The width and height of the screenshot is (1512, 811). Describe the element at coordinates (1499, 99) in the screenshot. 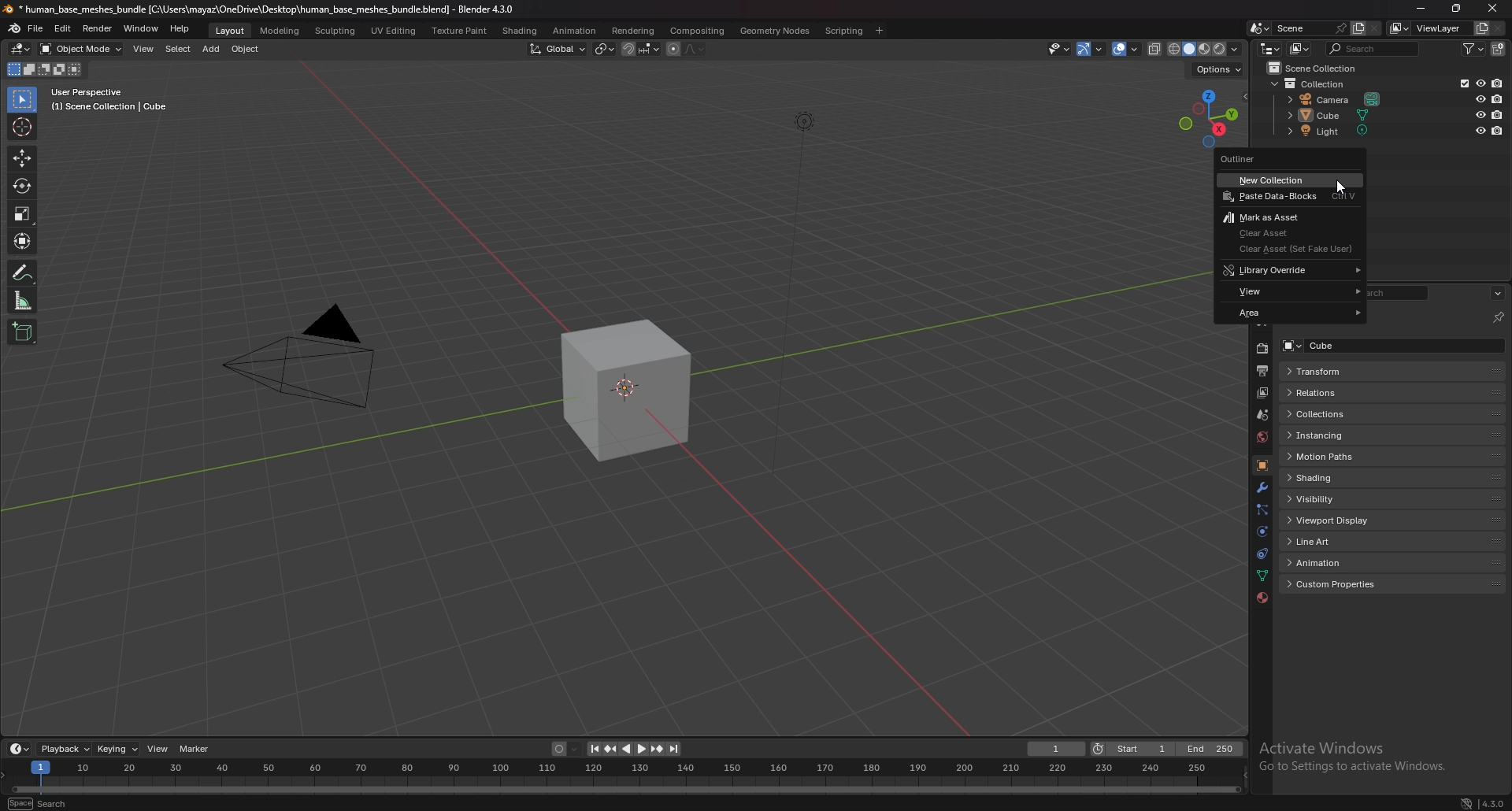

I see `disable in renders` at that location.